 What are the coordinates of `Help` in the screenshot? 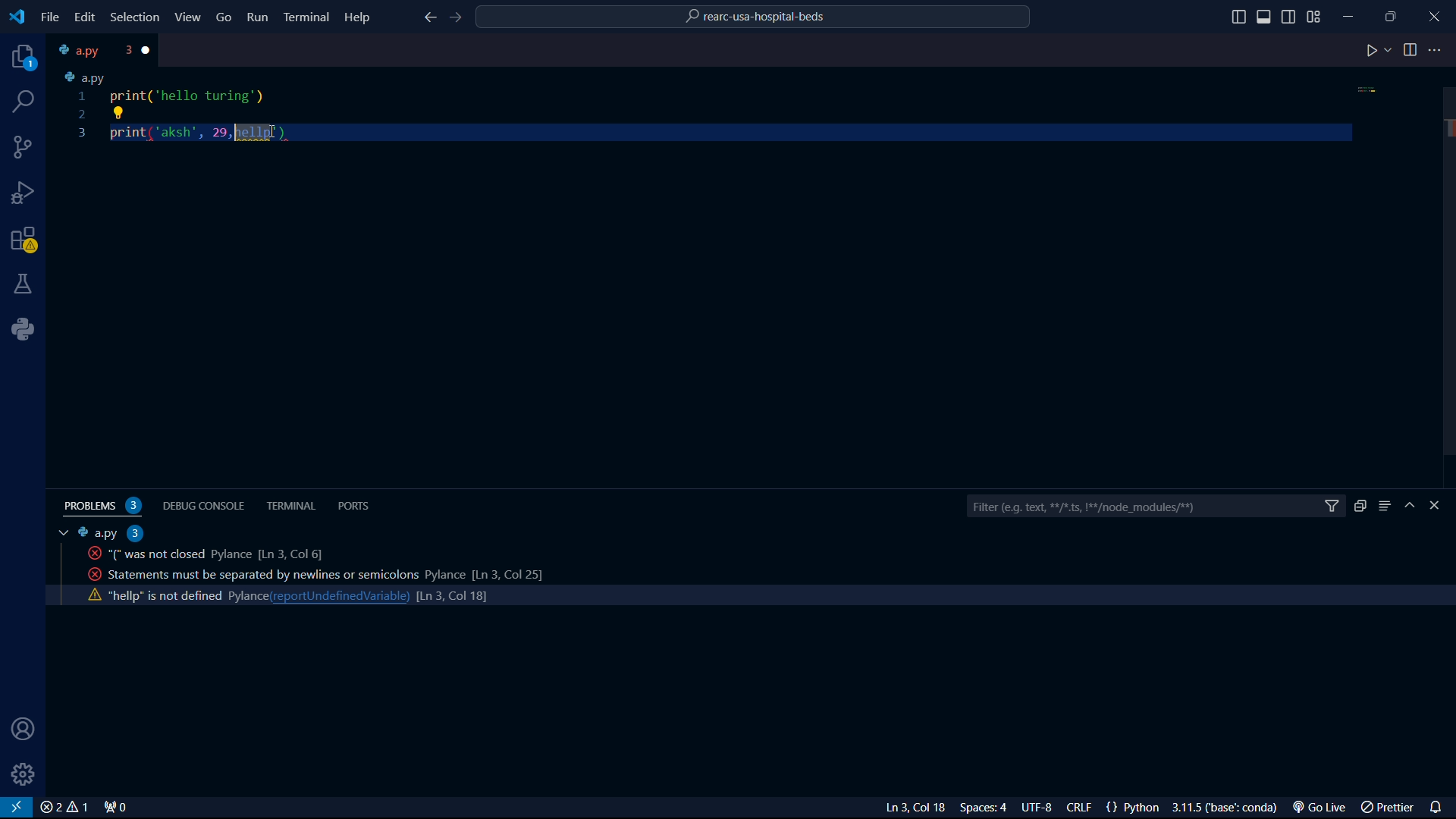 It's located at (361, 16).